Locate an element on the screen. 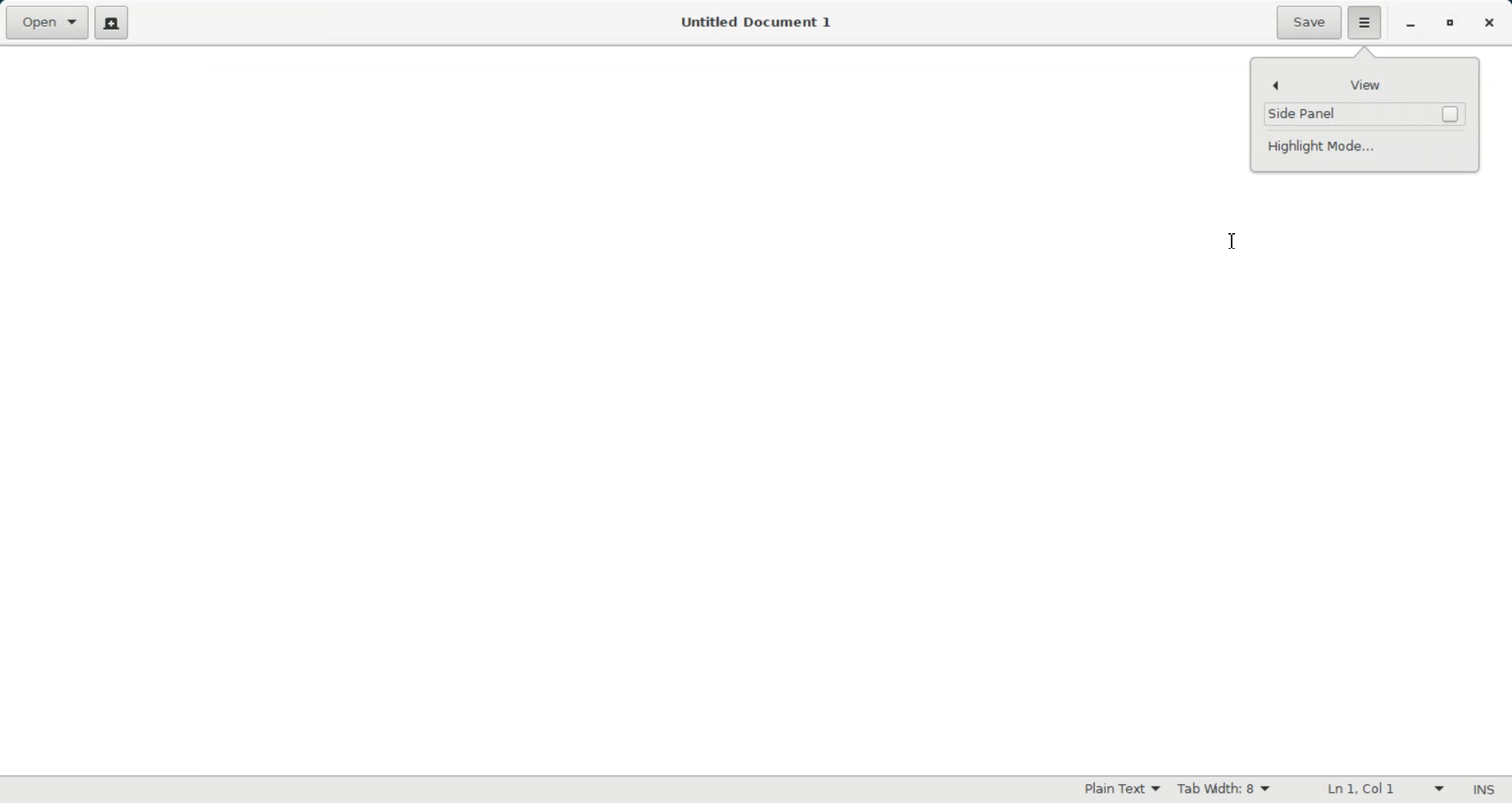 The width and height of the screenshot is (1512, 803). Untitled Document 1 is located at coordinates (758, 22).